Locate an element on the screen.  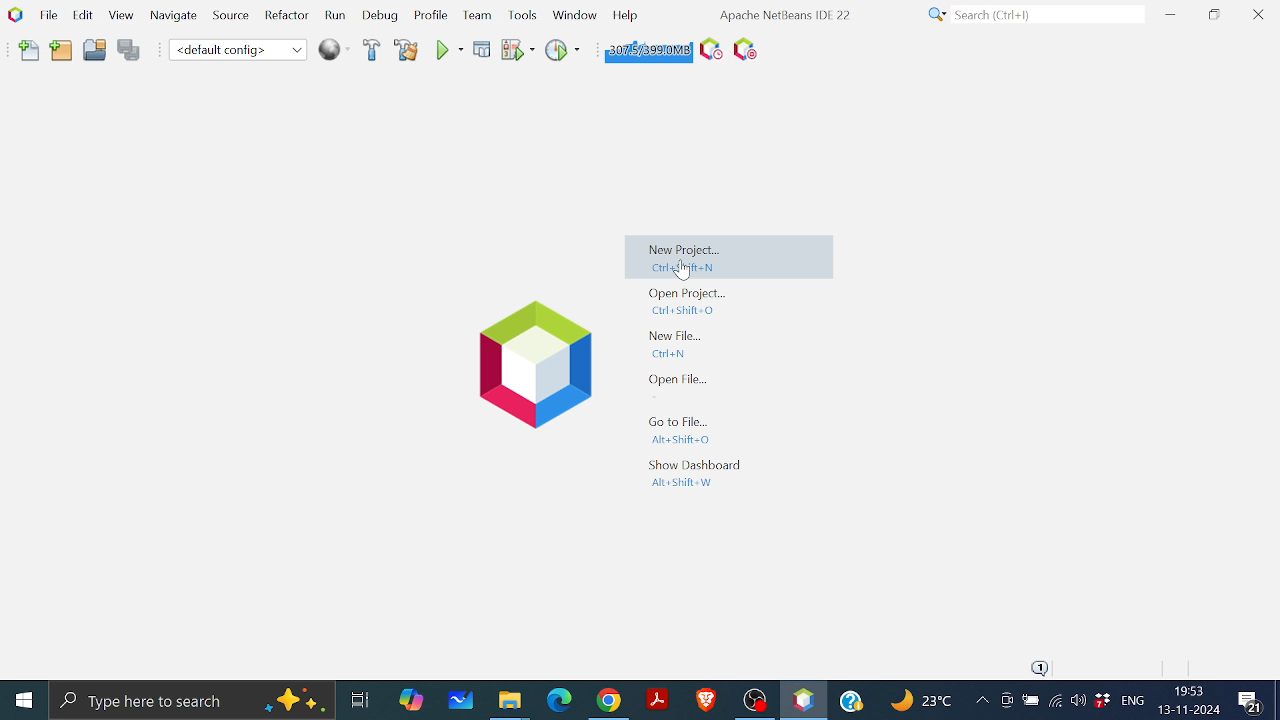
Type here to search is located at coordinates (192, 699).